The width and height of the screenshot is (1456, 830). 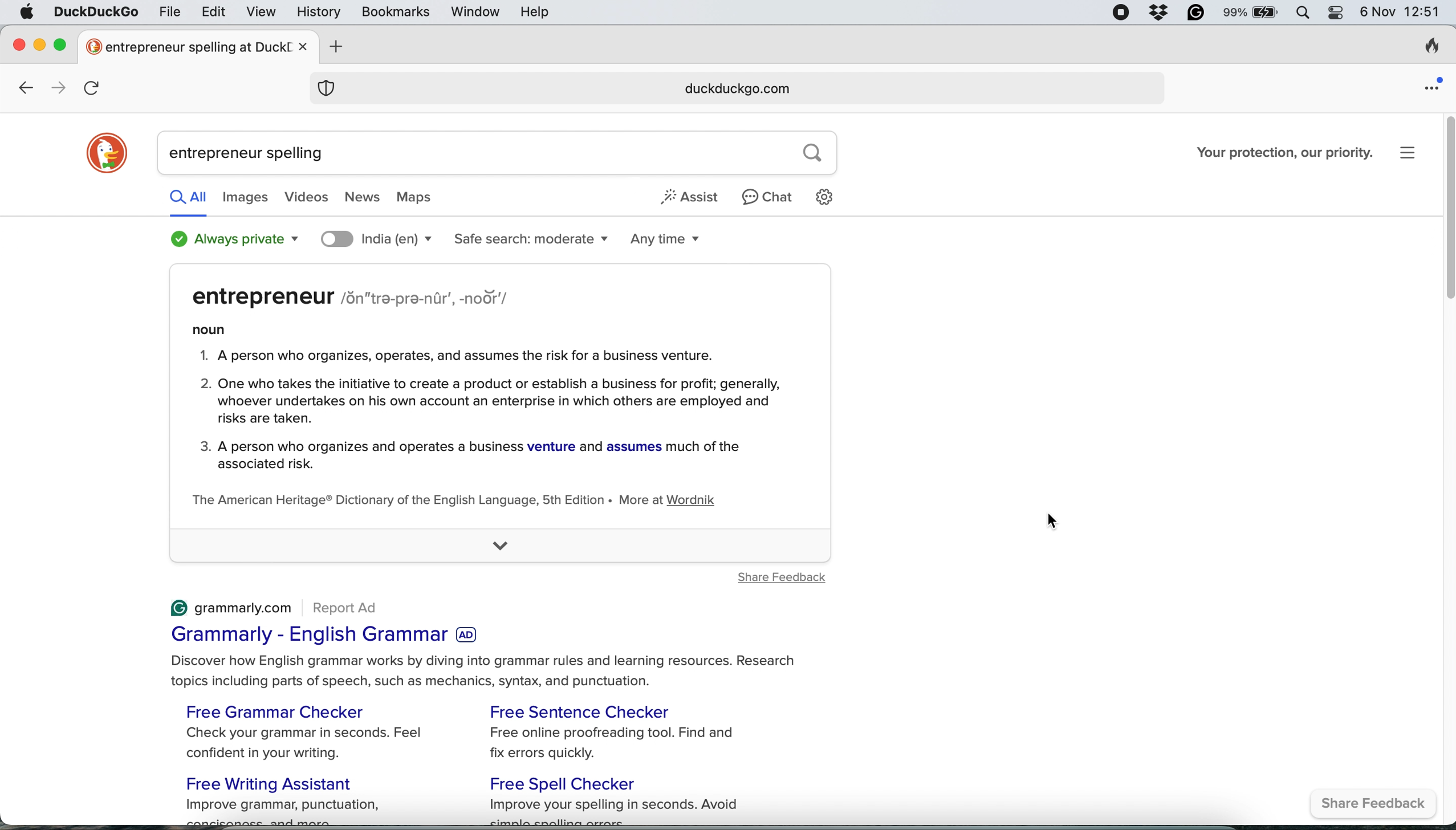 What do you see at coordinates (223, 237) in the screenshot?
I see `always private` at bounding box center [223, 237].